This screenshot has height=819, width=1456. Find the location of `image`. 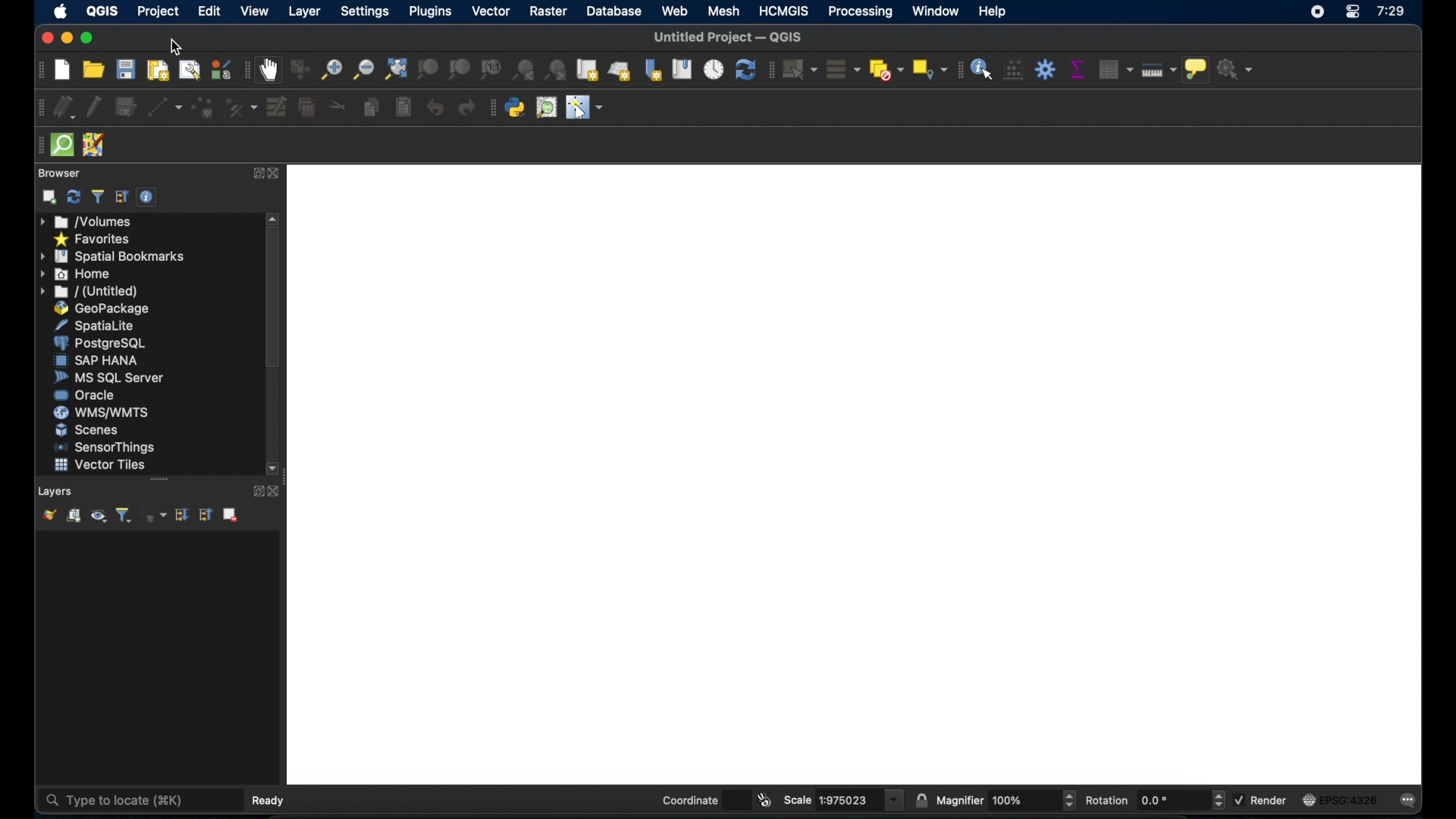

image is located at coordinates (1310, 800).